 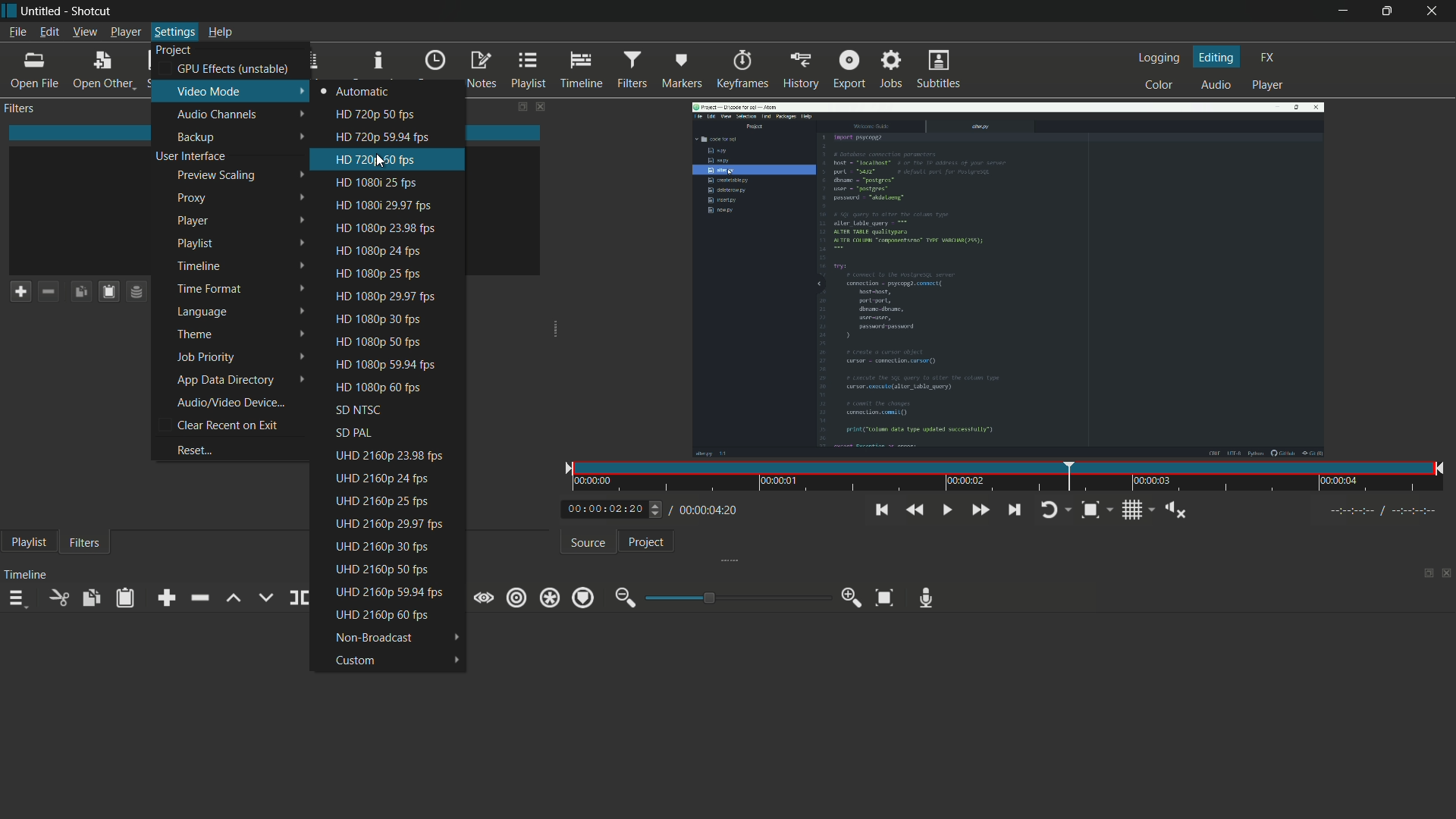 What do you see at coordinates (392, 544) in the screenshot?
I see `uhd 2160p 30 fps` at bounding box center [392, 544].